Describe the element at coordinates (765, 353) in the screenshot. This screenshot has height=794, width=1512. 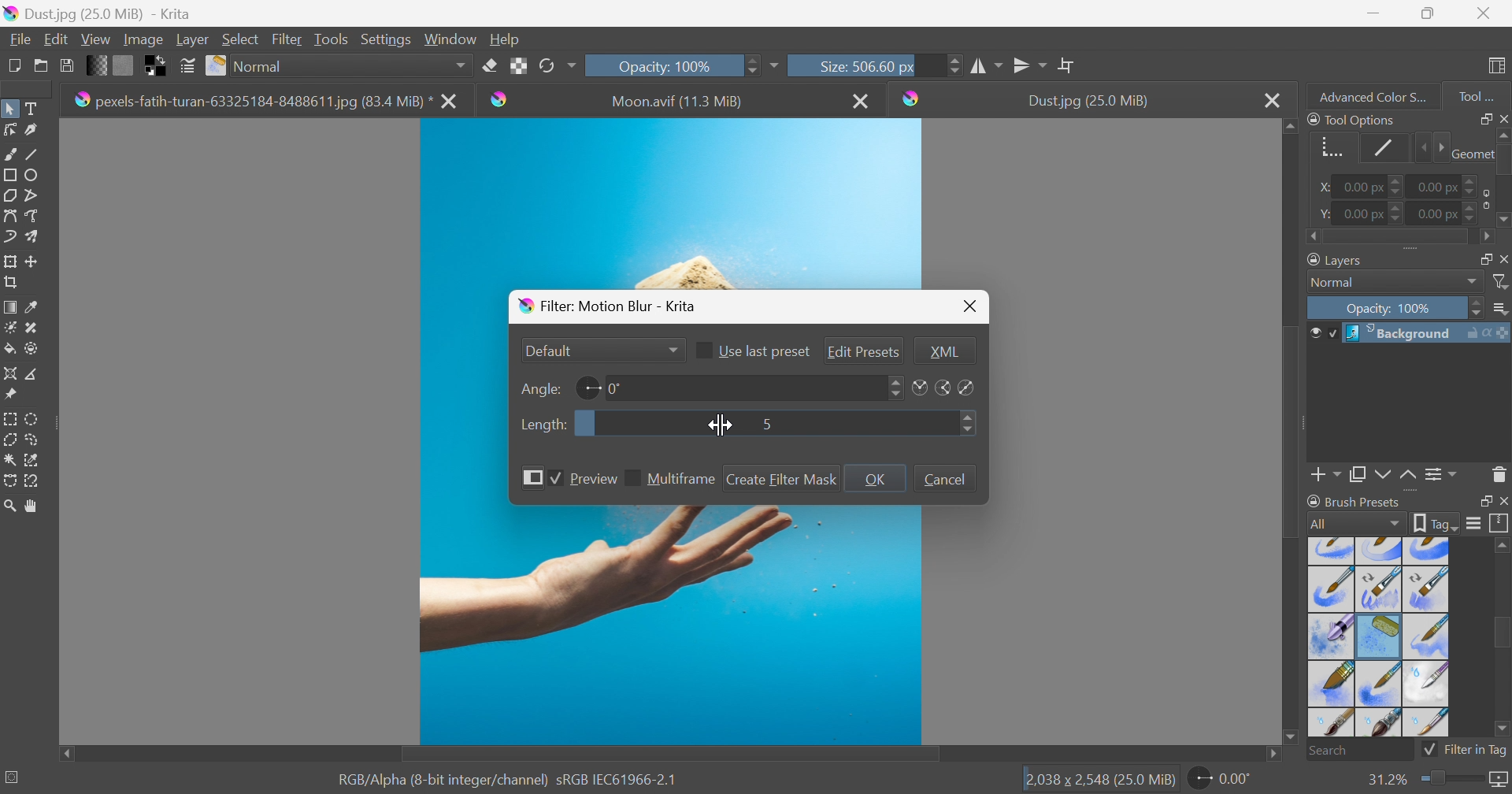
I see `Use last preset` at that location.